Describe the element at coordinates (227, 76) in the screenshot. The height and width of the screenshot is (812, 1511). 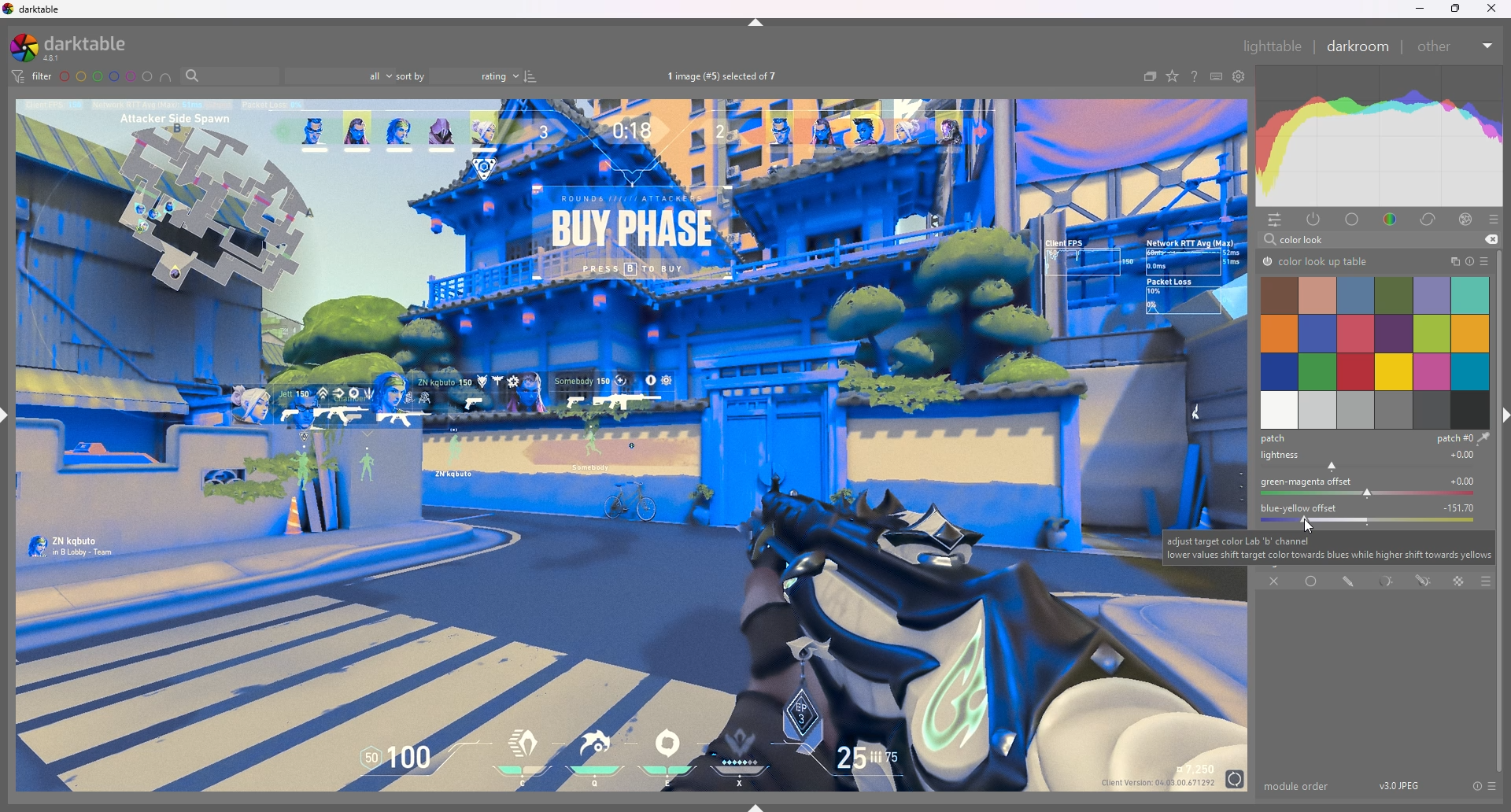
I see `search bar` at that location.